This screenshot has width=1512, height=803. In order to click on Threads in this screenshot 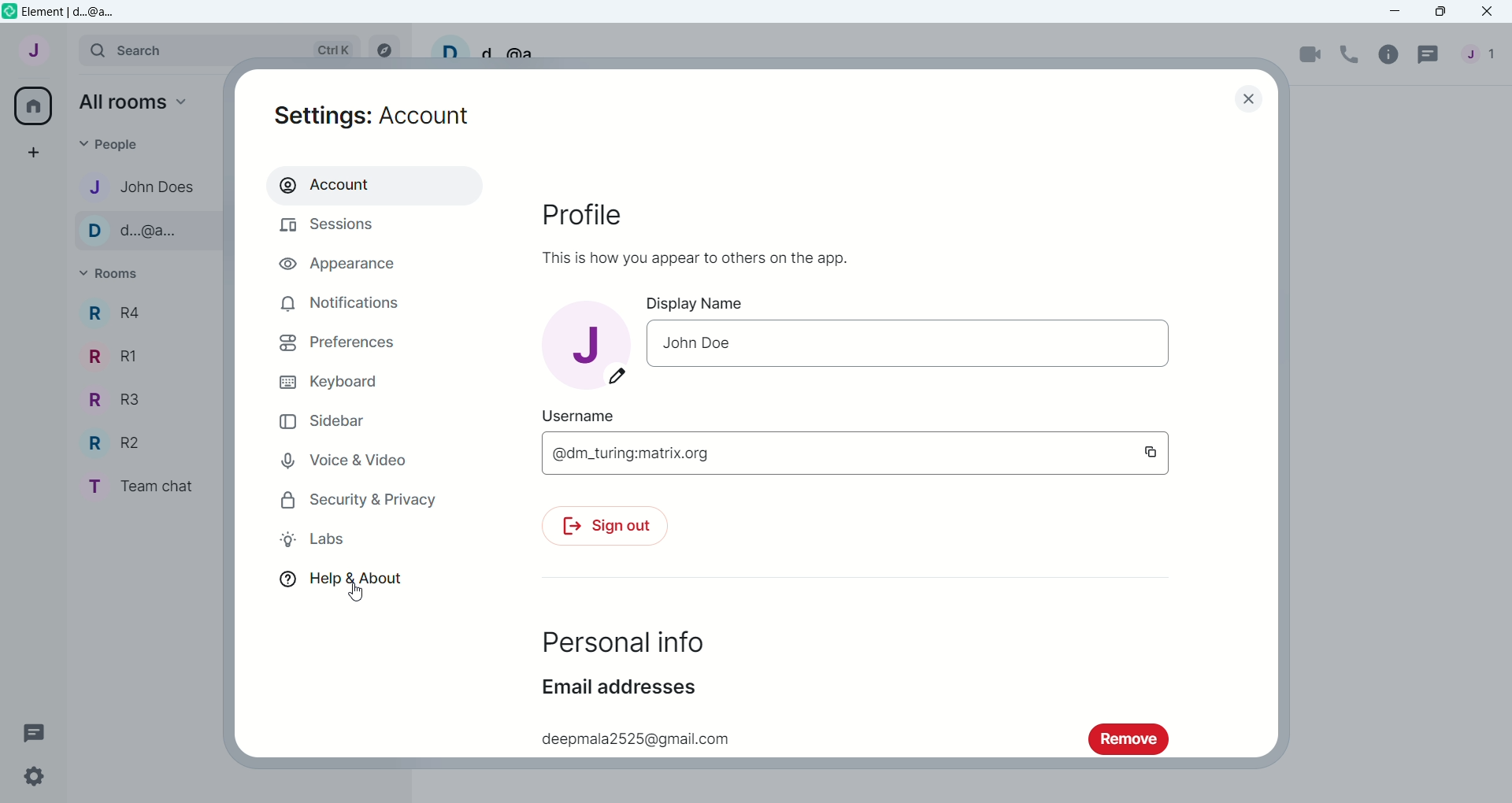, I will do `click(1428, 57)`.